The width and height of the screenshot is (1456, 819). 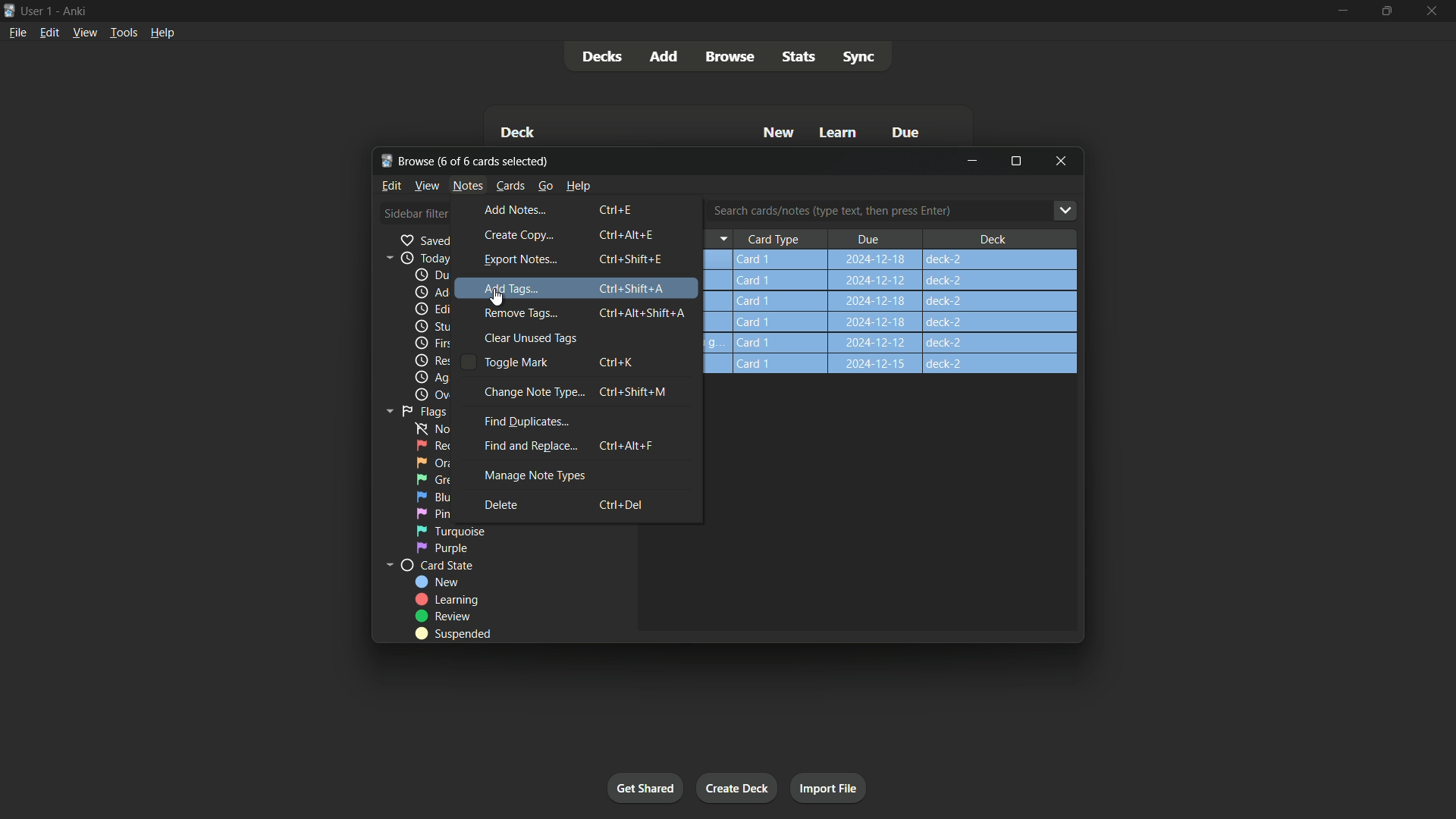 What do you see at coordinates (438, 565) in the screenshot?
I see `card state` at bounding box center [438, 565].